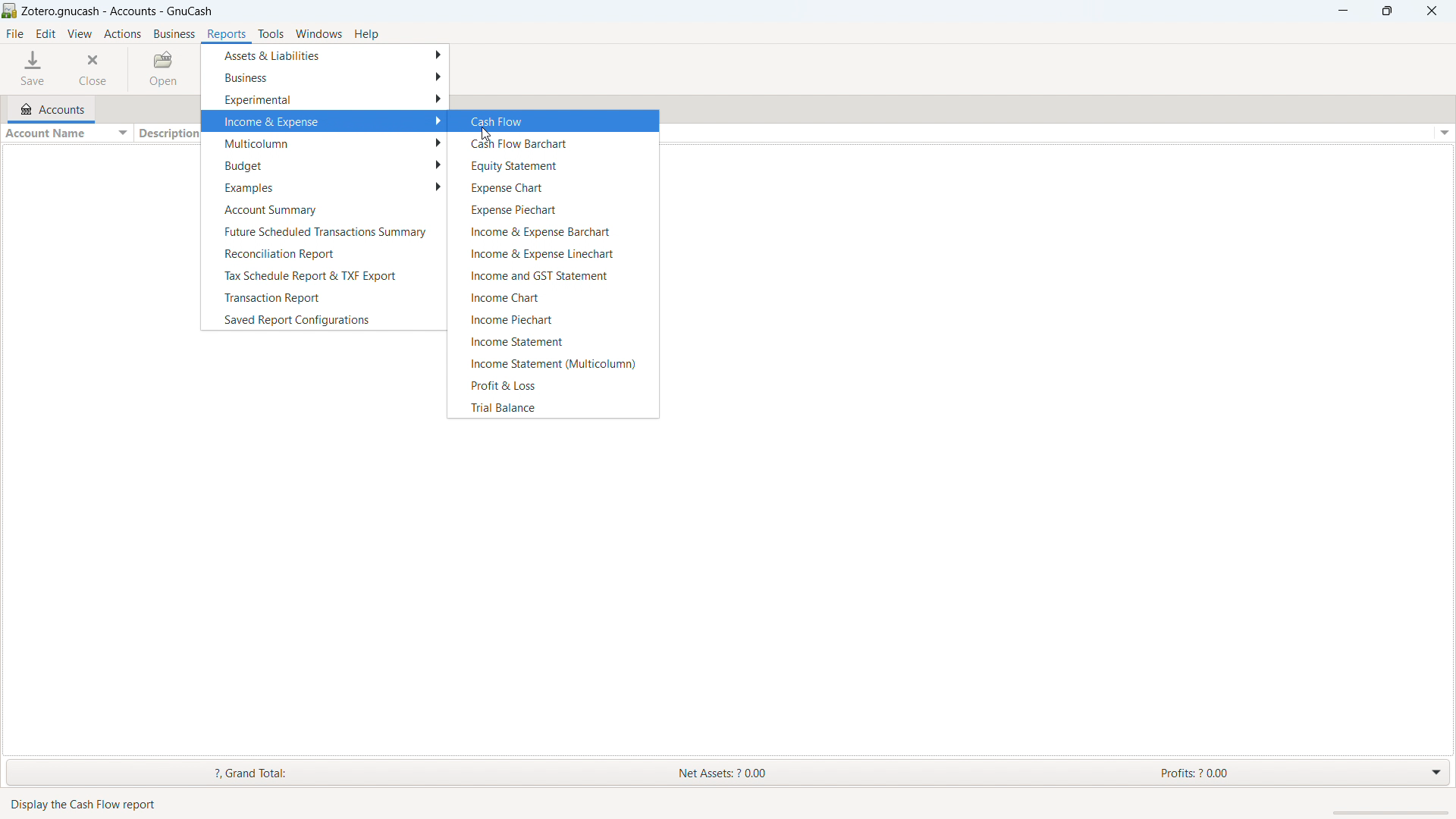 Image resolution: width=1456 pixels, height=819 pixels. What do you see at coordinates (324, 143) in the screenshot?
I see `multicolumn` at bounding box center [324, 143].